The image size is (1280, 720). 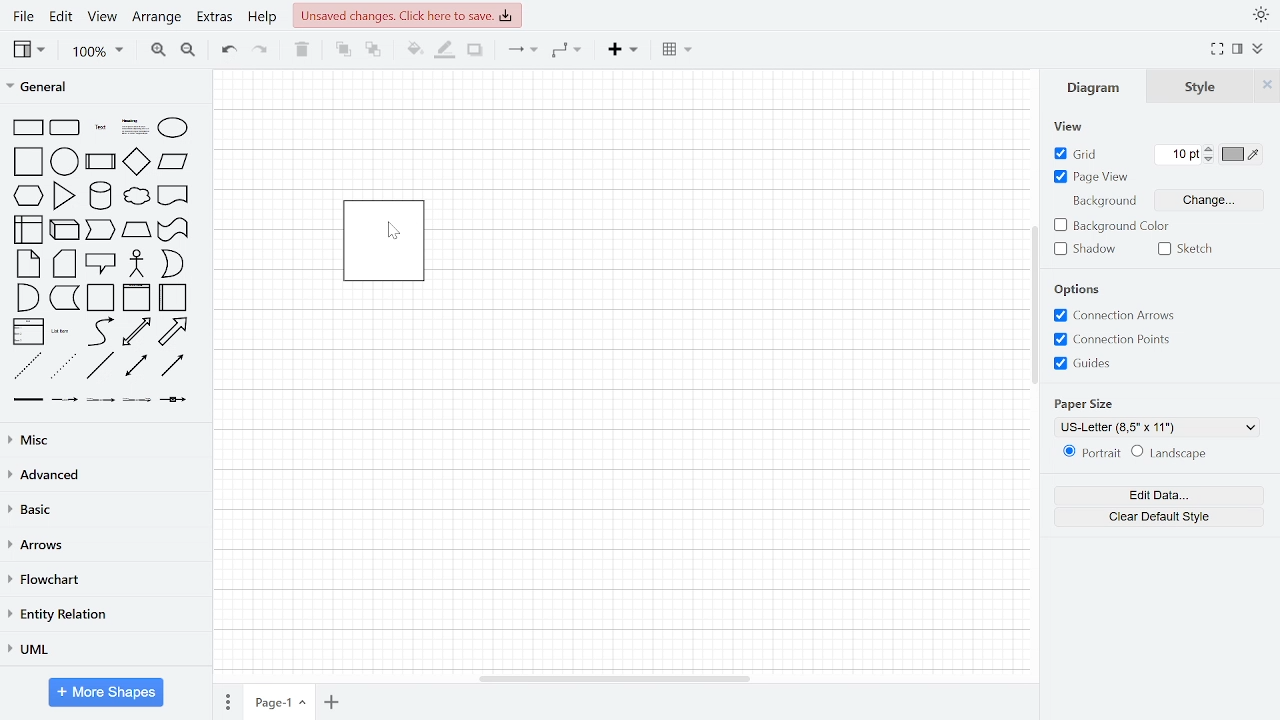 I want to click on insert, so click(x=622, y=50).